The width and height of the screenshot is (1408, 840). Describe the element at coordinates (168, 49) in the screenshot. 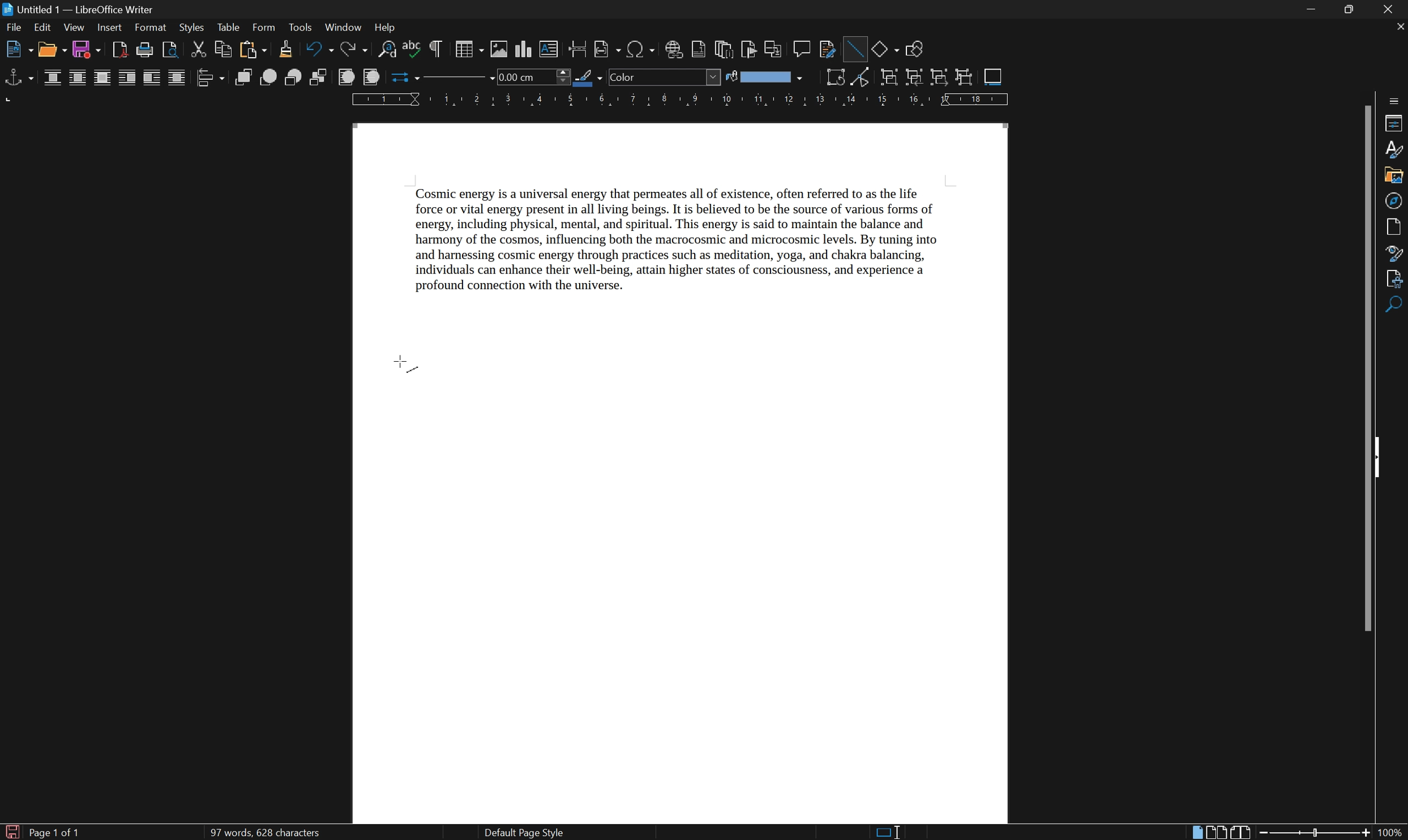

I see `toggle print preview` at that location.